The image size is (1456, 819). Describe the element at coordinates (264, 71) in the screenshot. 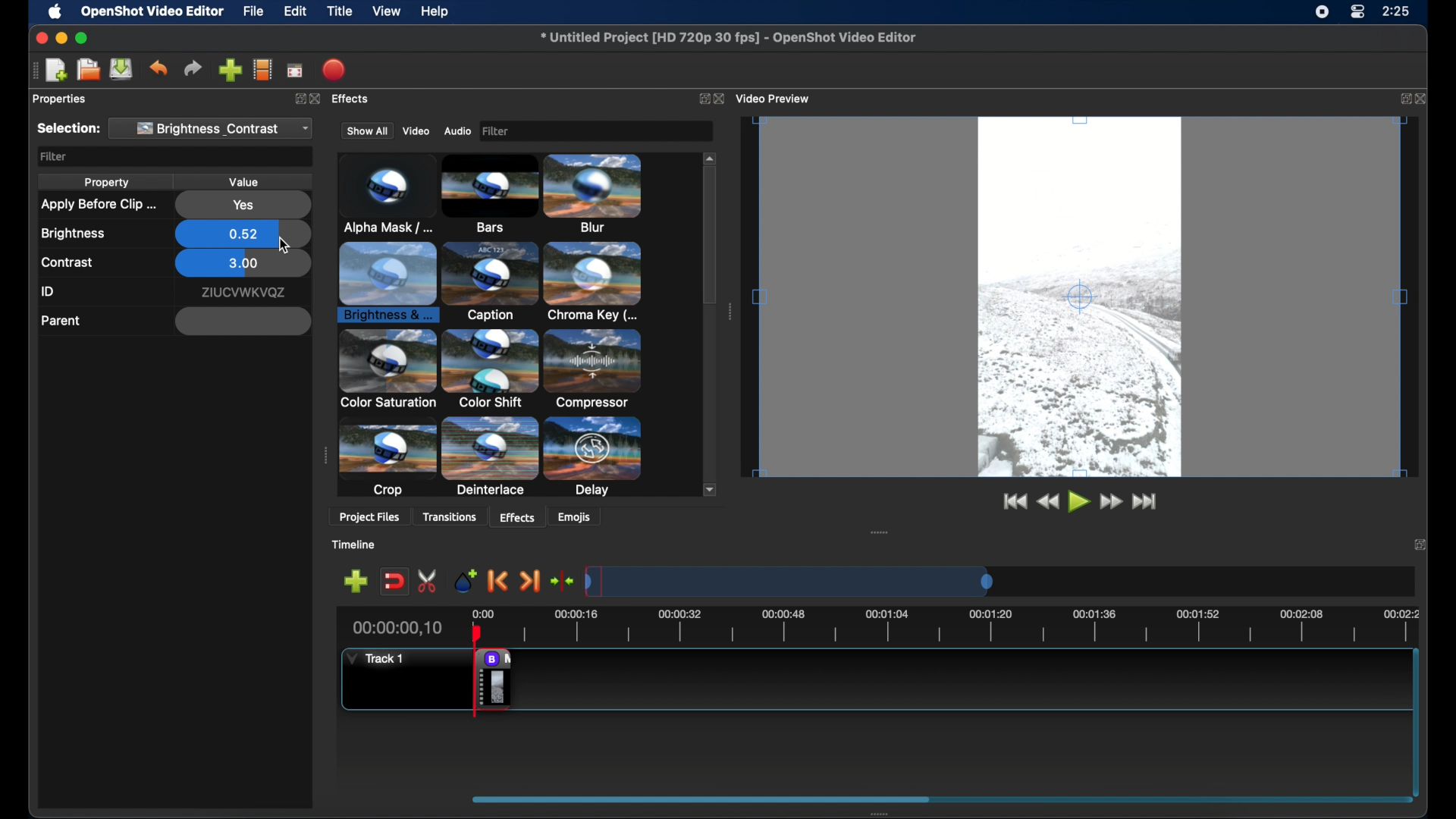

I see `explore profiles` at that location.